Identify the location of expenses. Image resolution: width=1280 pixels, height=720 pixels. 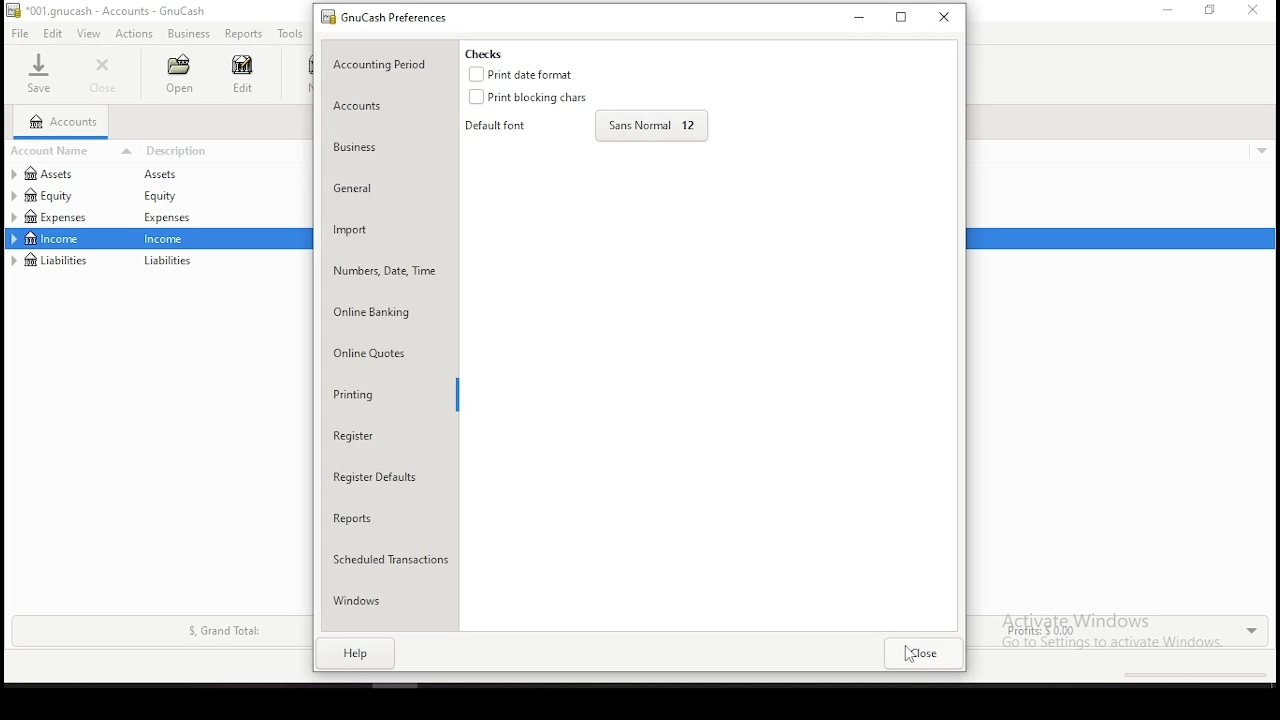
(67, 217).